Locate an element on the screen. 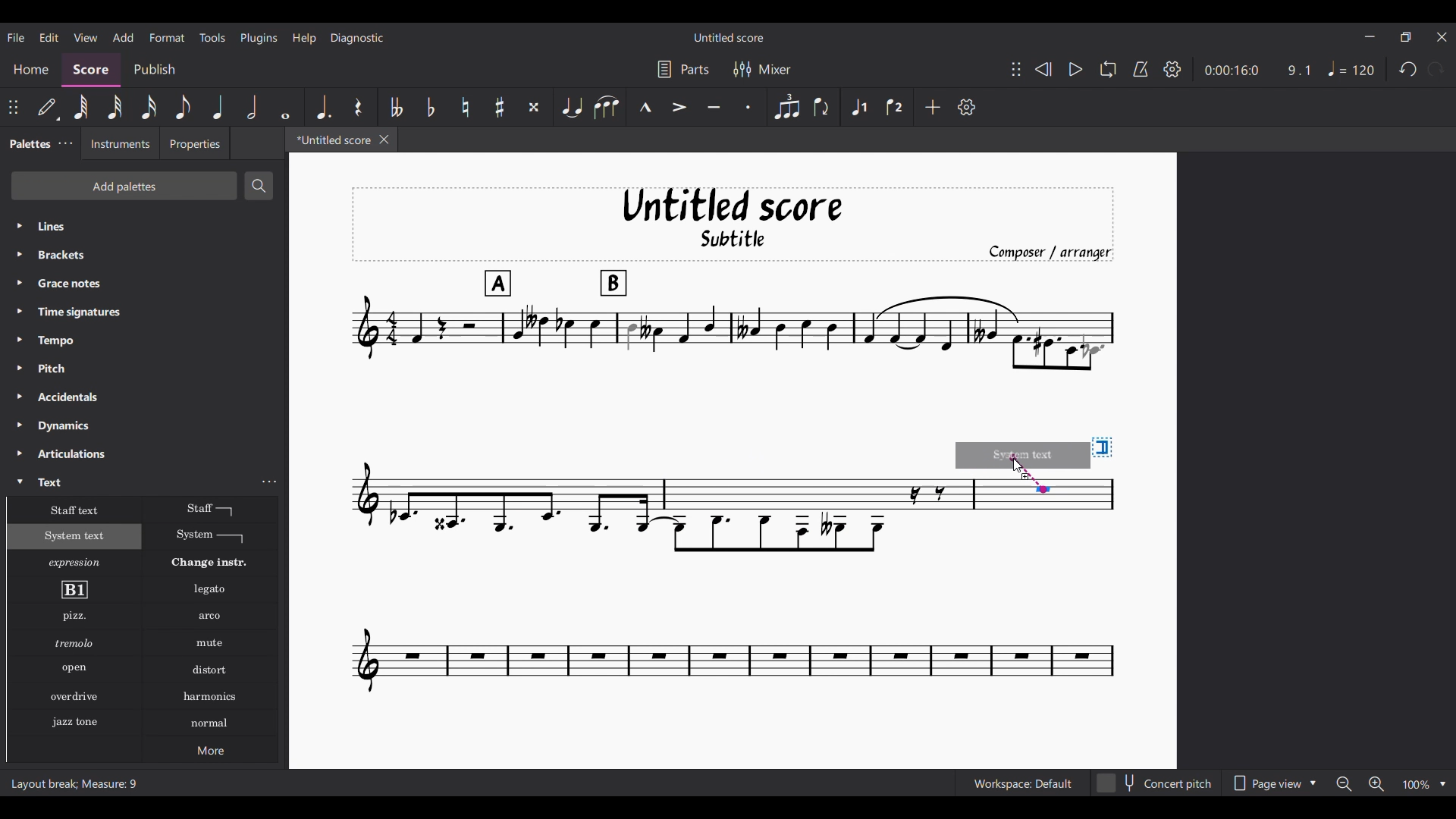 This screenshot has width=1456, height=819. Arko is located at coordinates (210, 617).